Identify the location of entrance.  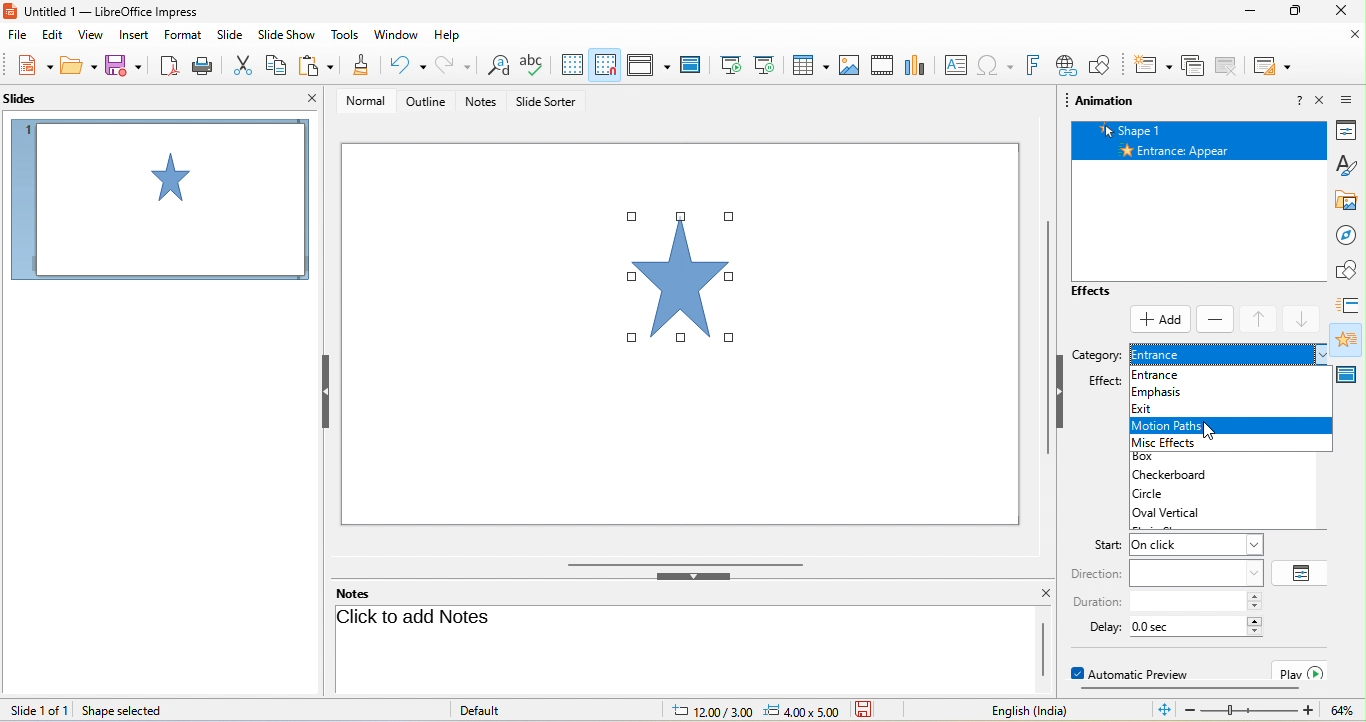
(1205, 373).